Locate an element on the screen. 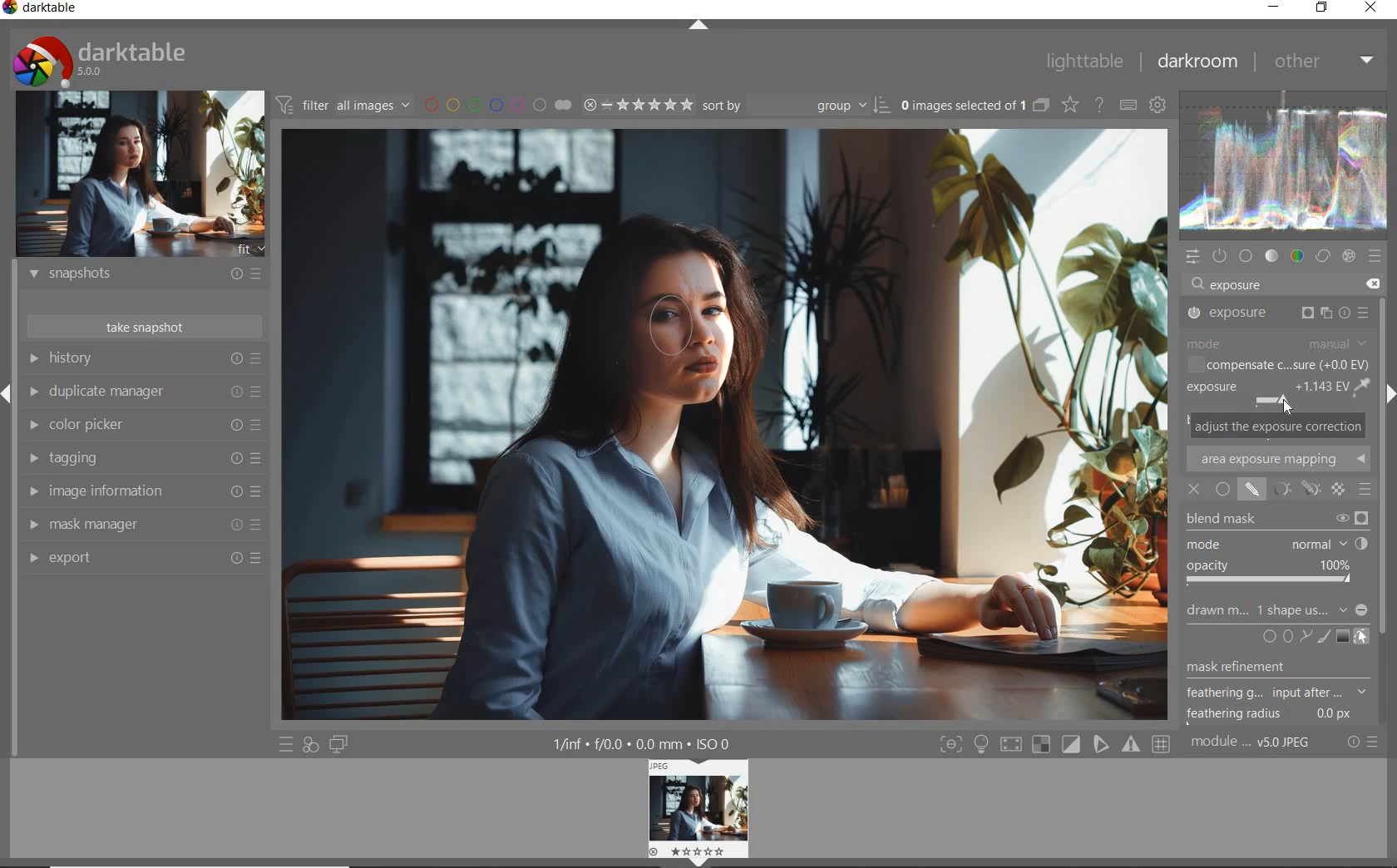 The image size is (1397, 868). enable online help is located at coordinates (1100, 105).